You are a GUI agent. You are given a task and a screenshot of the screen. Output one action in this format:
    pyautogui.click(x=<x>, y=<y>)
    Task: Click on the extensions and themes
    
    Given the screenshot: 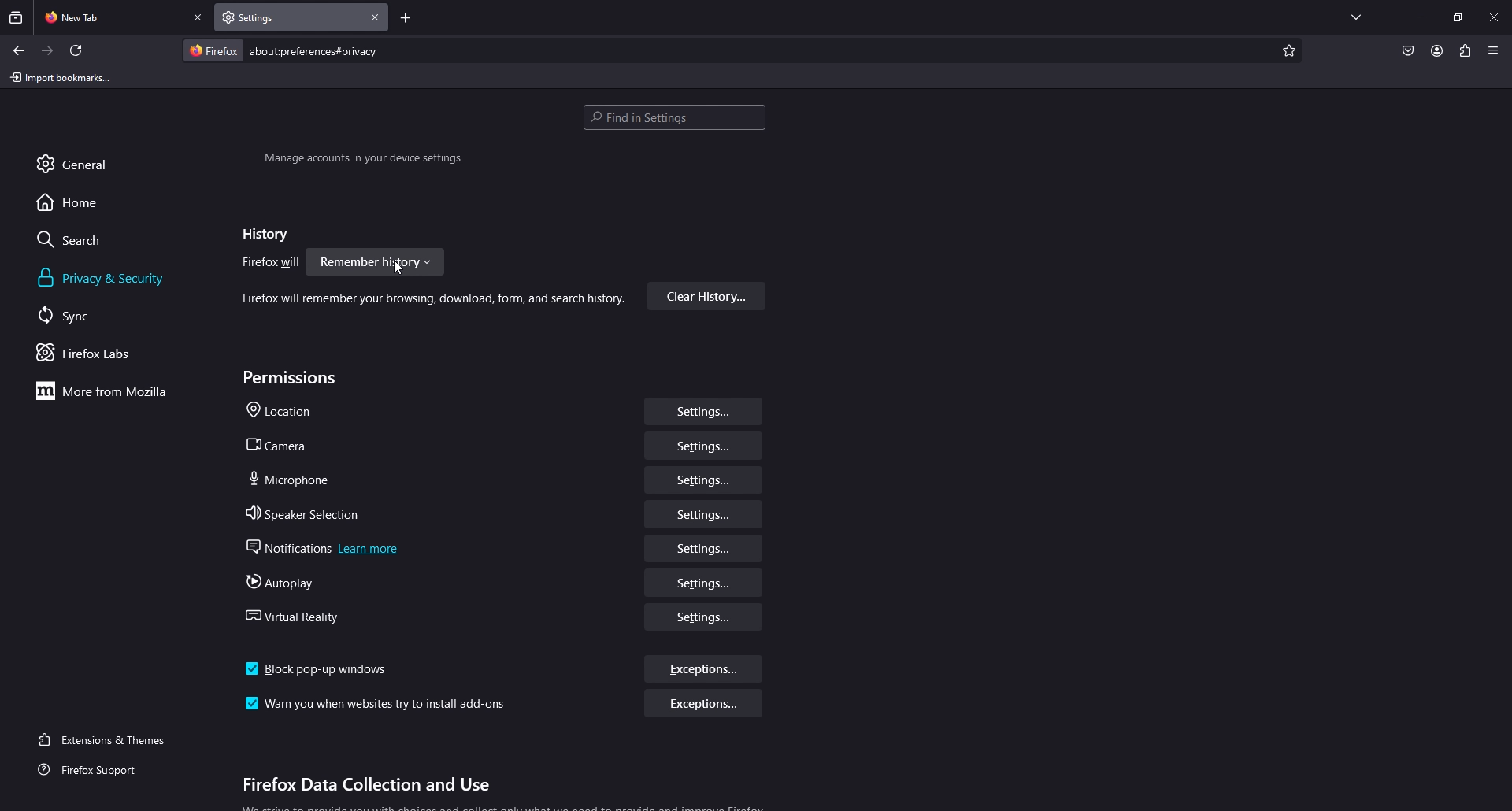 What is the action you would take?
    pyautogui.click(x=112, y=738)
    